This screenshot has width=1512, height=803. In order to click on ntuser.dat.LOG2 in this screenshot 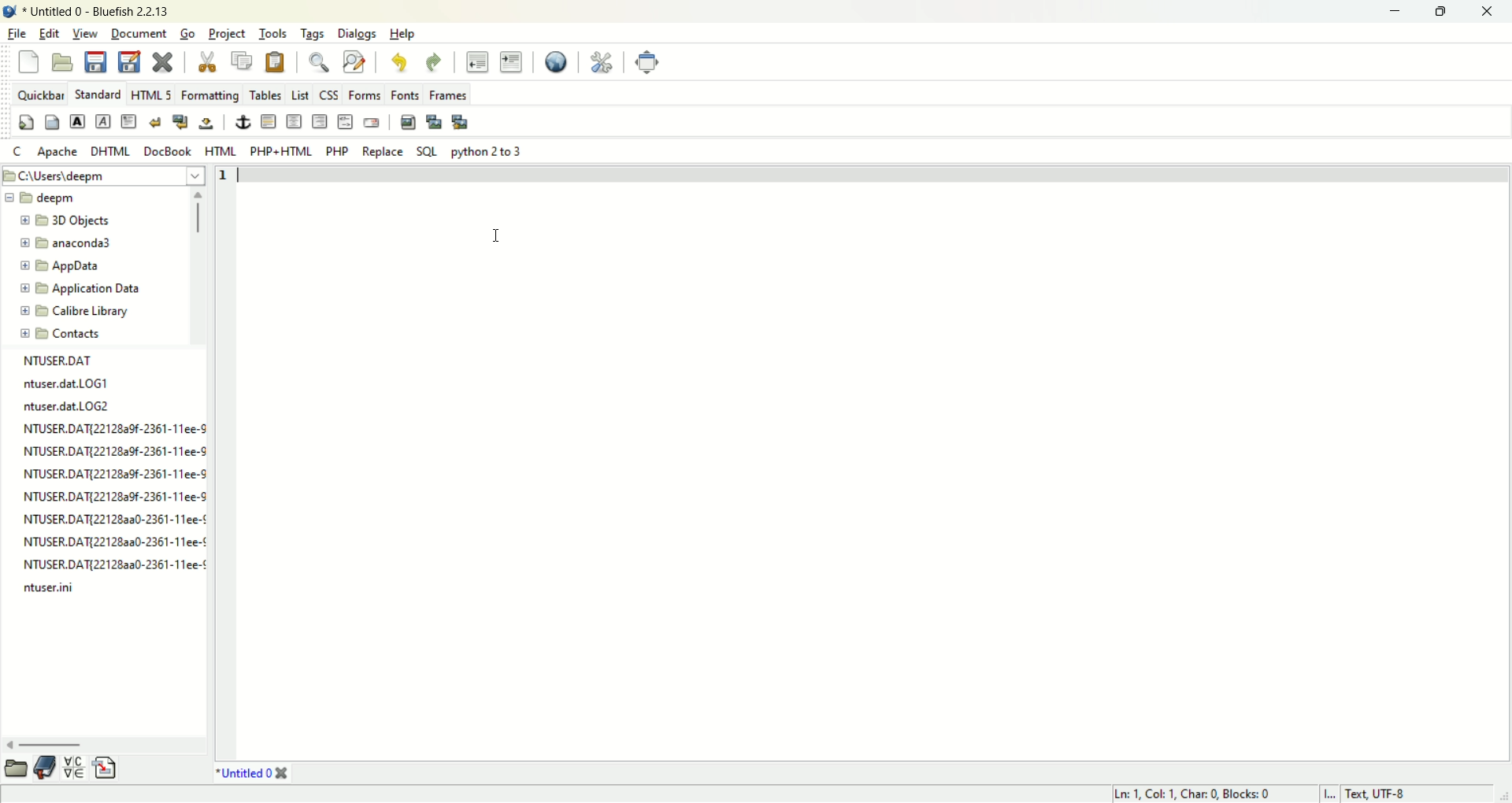, I will do `click(72, 405)`.